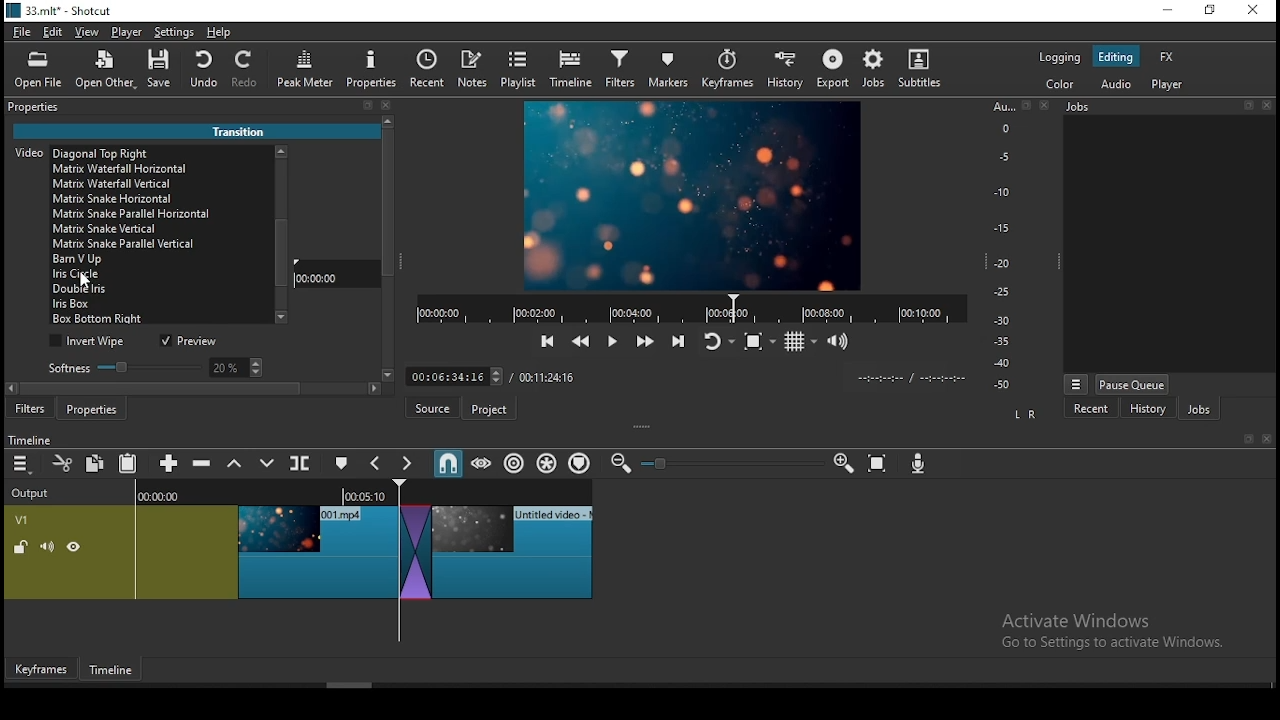 This screenshot has height=720, width=1280. What do you see at coordinates (39, 670) in the screenshot?
I see `Keyframes` at bounding box center [39, 670].